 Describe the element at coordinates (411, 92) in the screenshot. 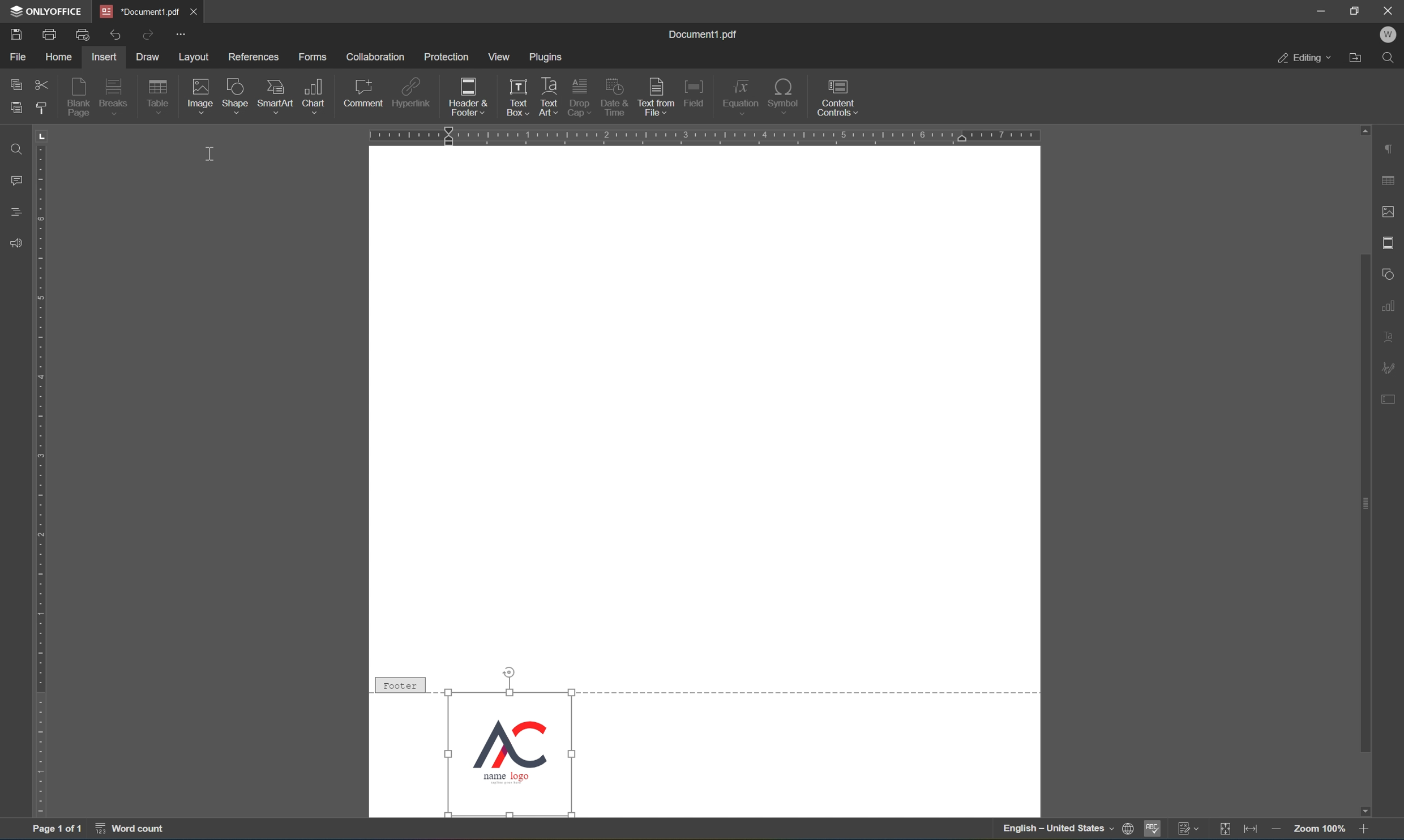

I see `hyperlink` at that location.